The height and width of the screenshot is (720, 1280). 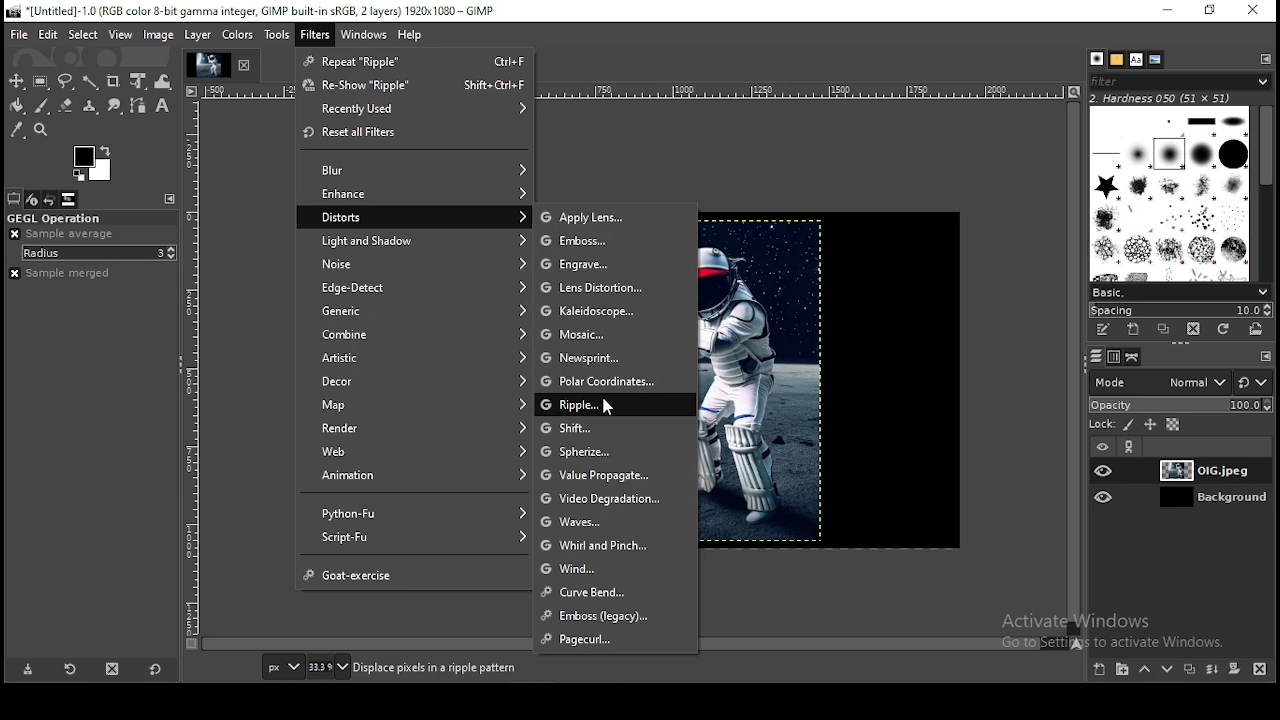 I want to click on delete this brush, so click(x=1193, y=329).